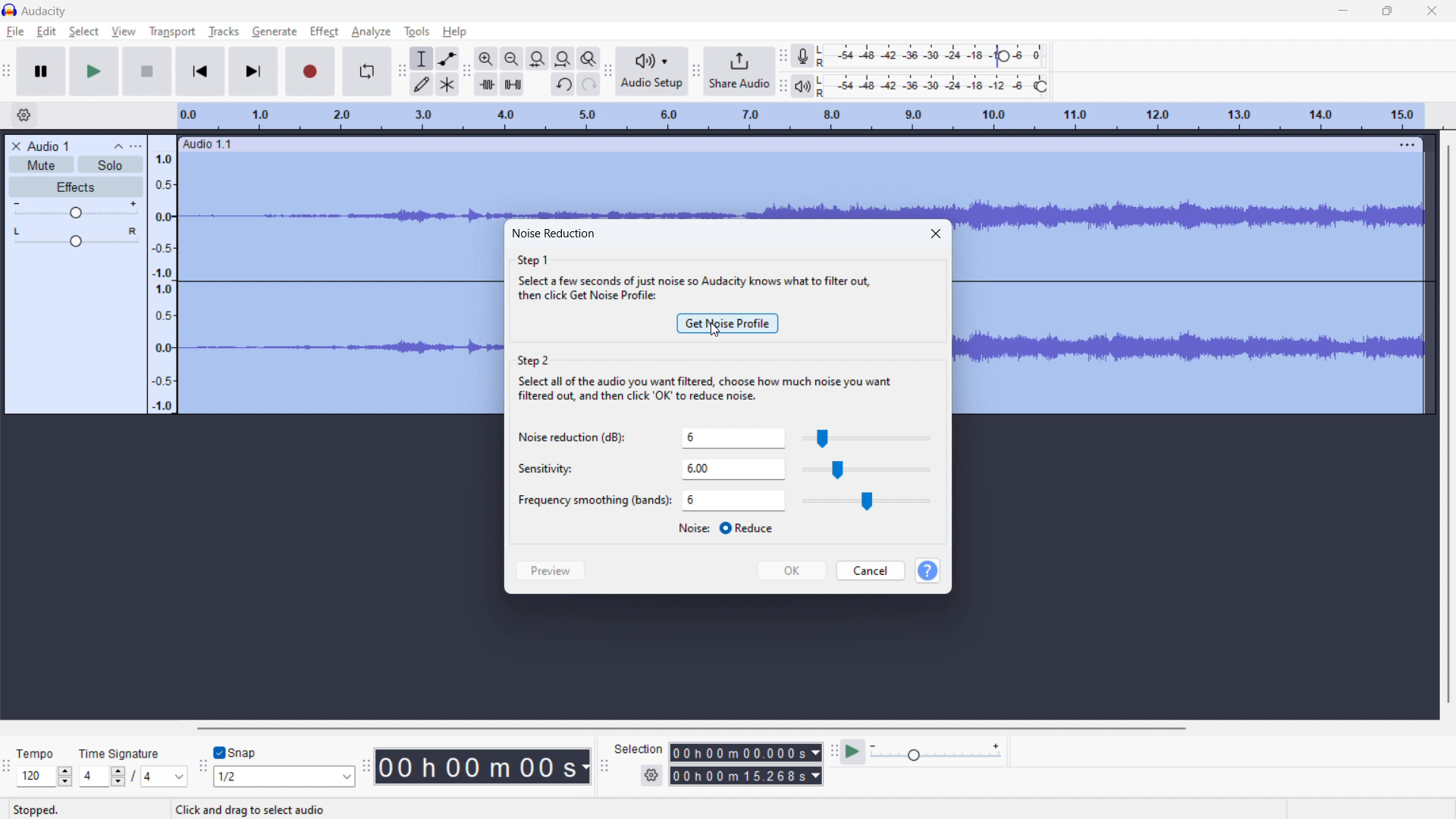 The image size is (1456, 819). Describe the element at coordinates (172, 33) in the screenshot. I see `transport` at that location.